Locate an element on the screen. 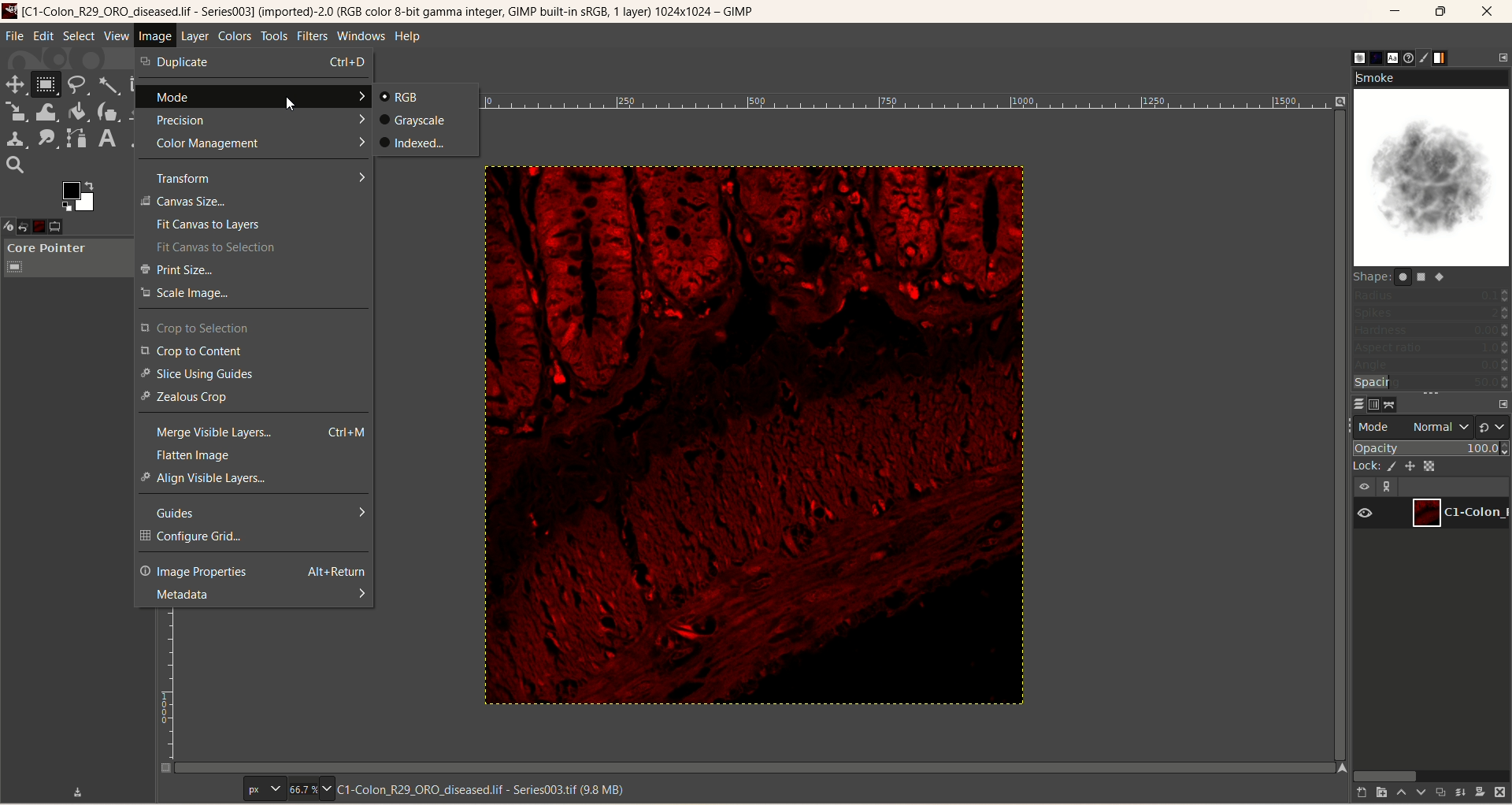  select is located at coordinates (80, 37).